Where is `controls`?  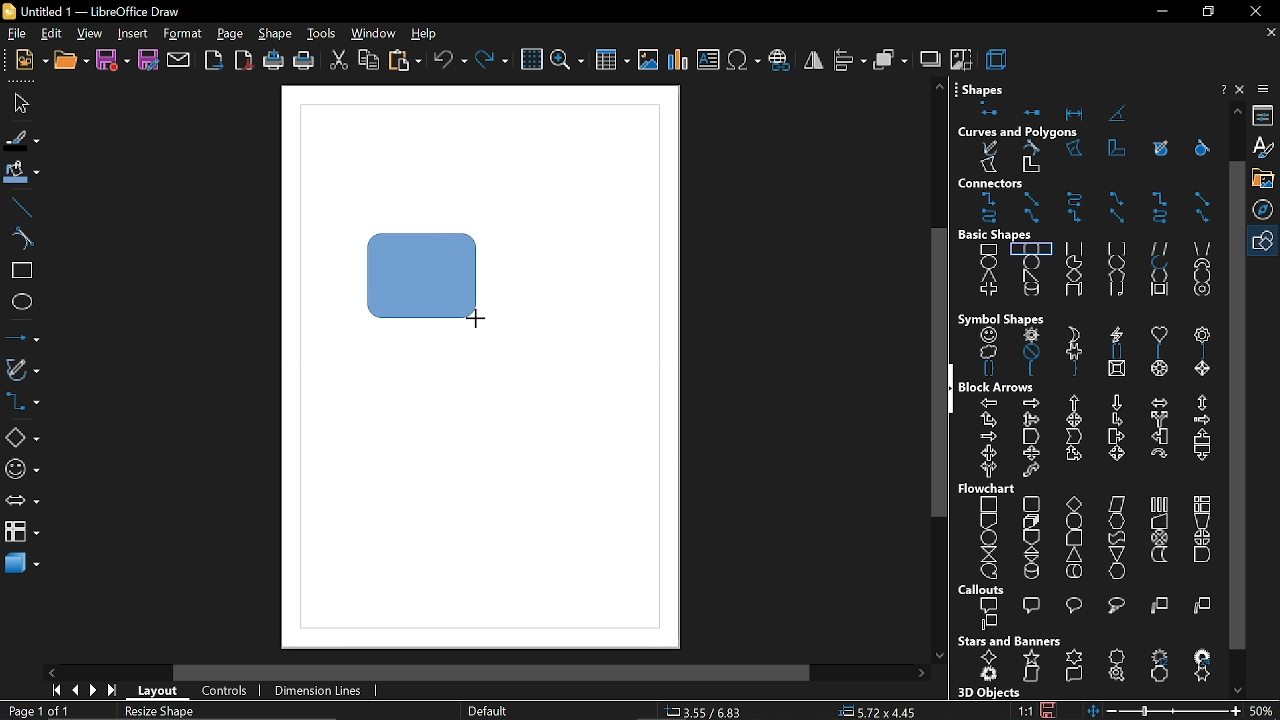 controls is located at coordinates (224, 692).